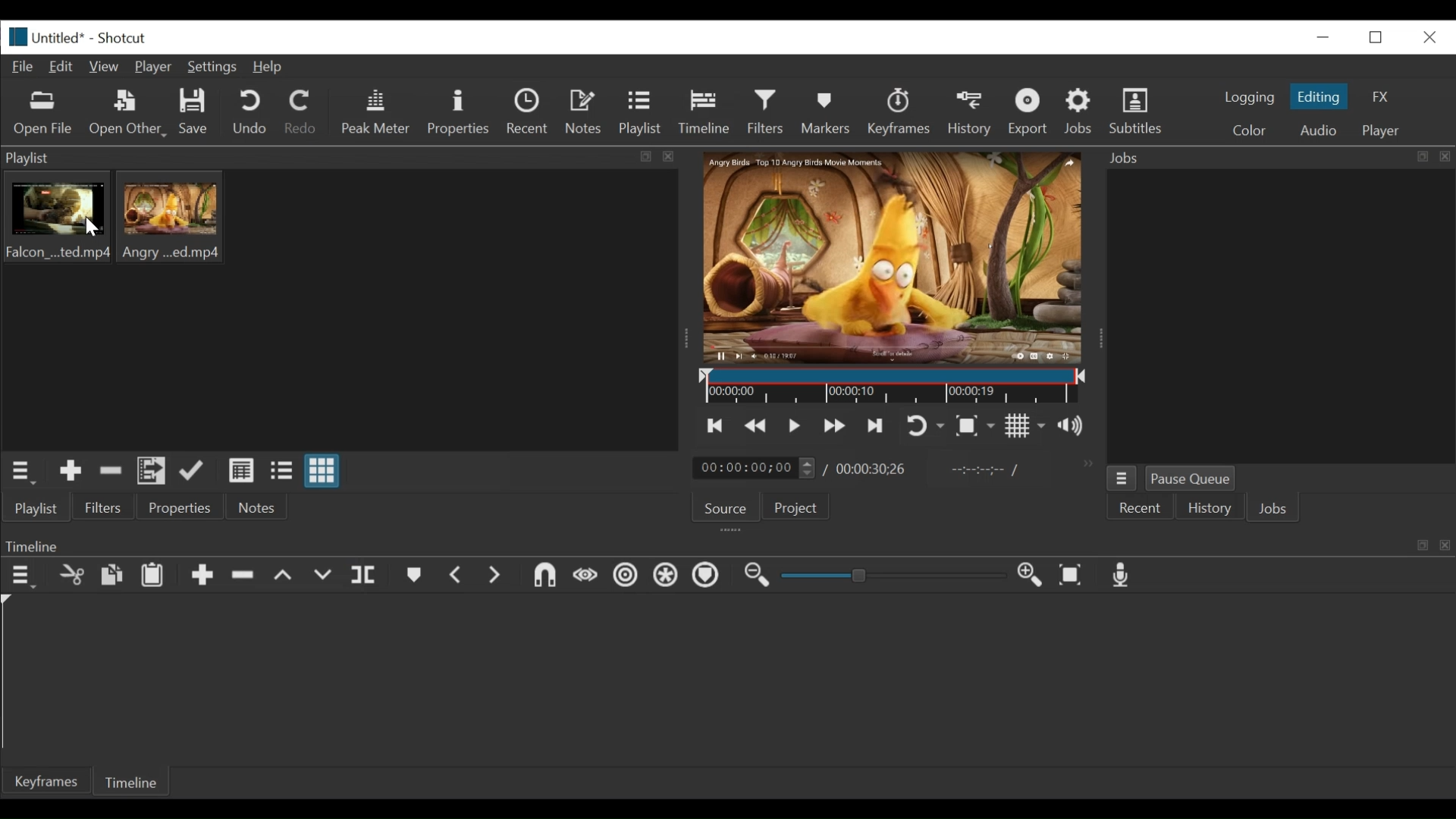  Describe the element at coordinates (1081, 111) in the screenshot. I see `Jobs` at that location.